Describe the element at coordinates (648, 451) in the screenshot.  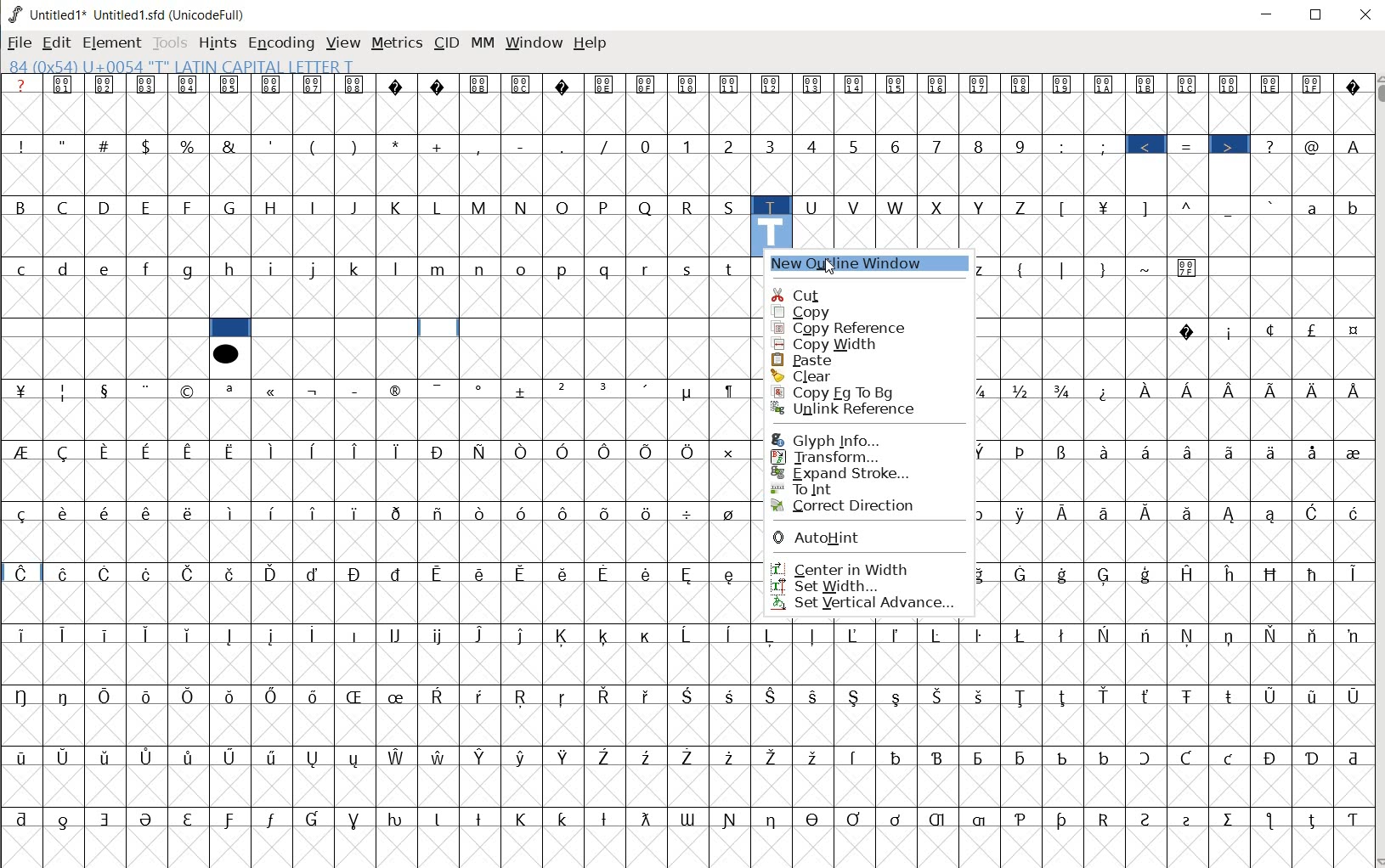
I see `Symbol` at that location.